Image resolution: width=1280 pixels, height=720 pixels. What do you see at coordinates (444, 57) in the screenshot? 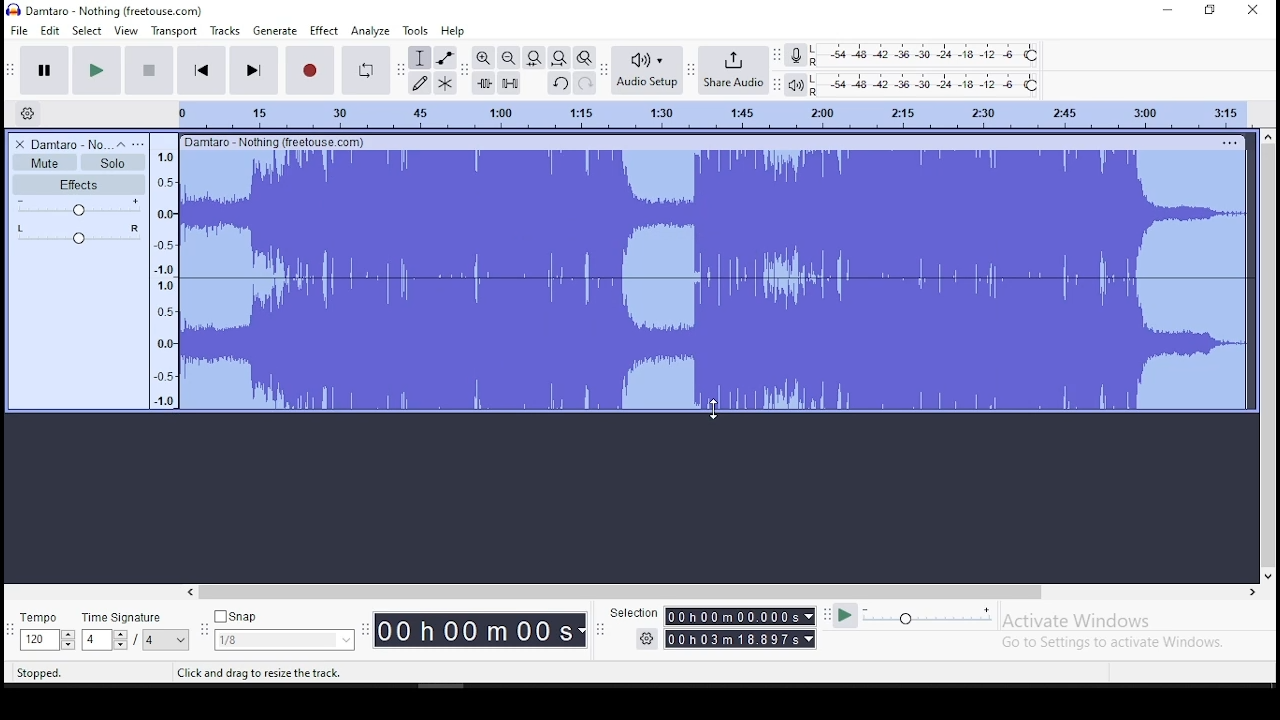
I see `envelope tool` at bounding box center [444, 57].